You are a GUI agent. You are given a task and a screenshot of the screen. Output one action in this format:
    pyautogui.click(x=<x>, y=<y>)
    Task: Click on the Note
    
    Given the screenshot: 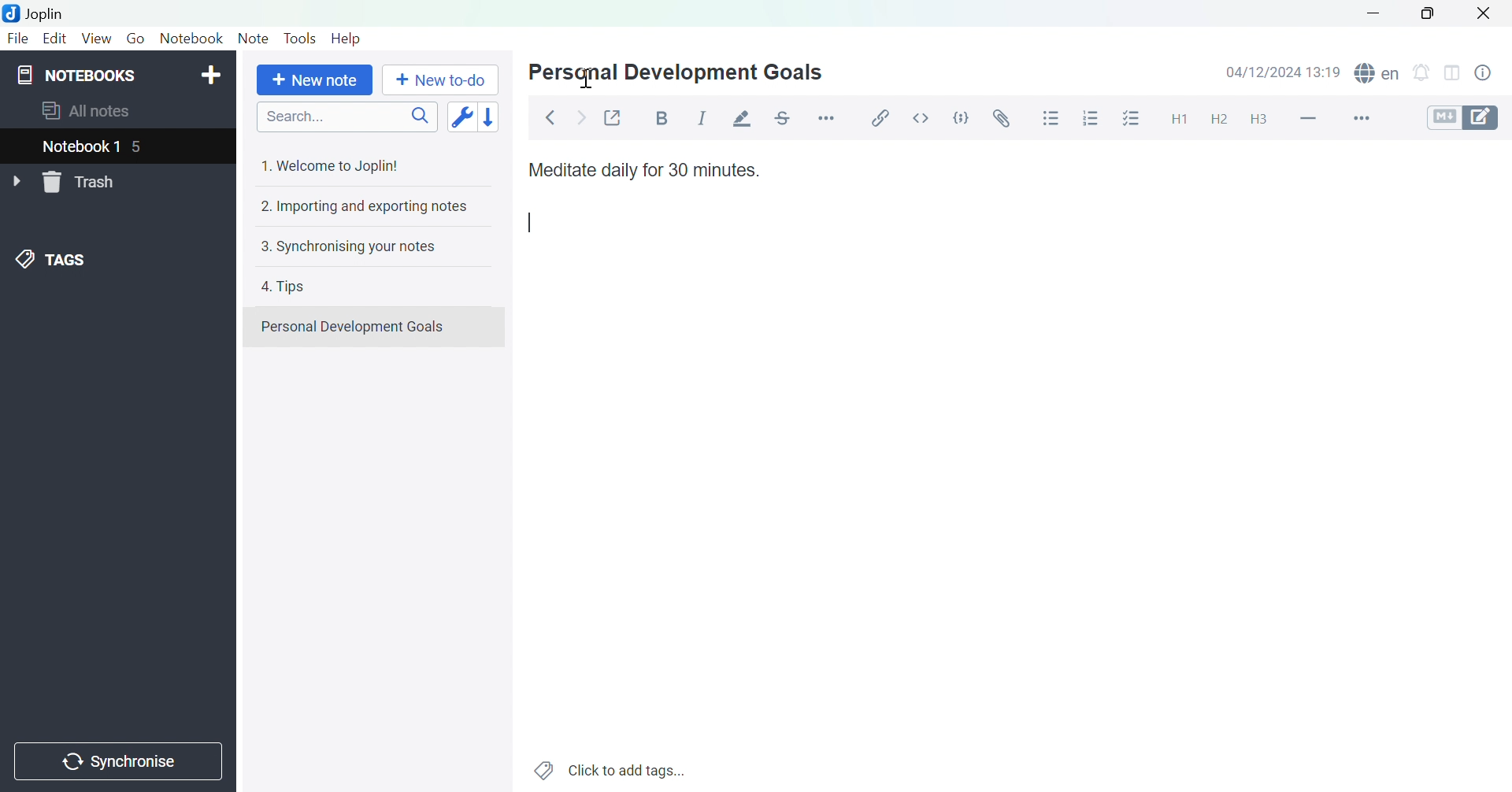 What is the action you would take?
    pyautogui.click(x=252, y=39)
    